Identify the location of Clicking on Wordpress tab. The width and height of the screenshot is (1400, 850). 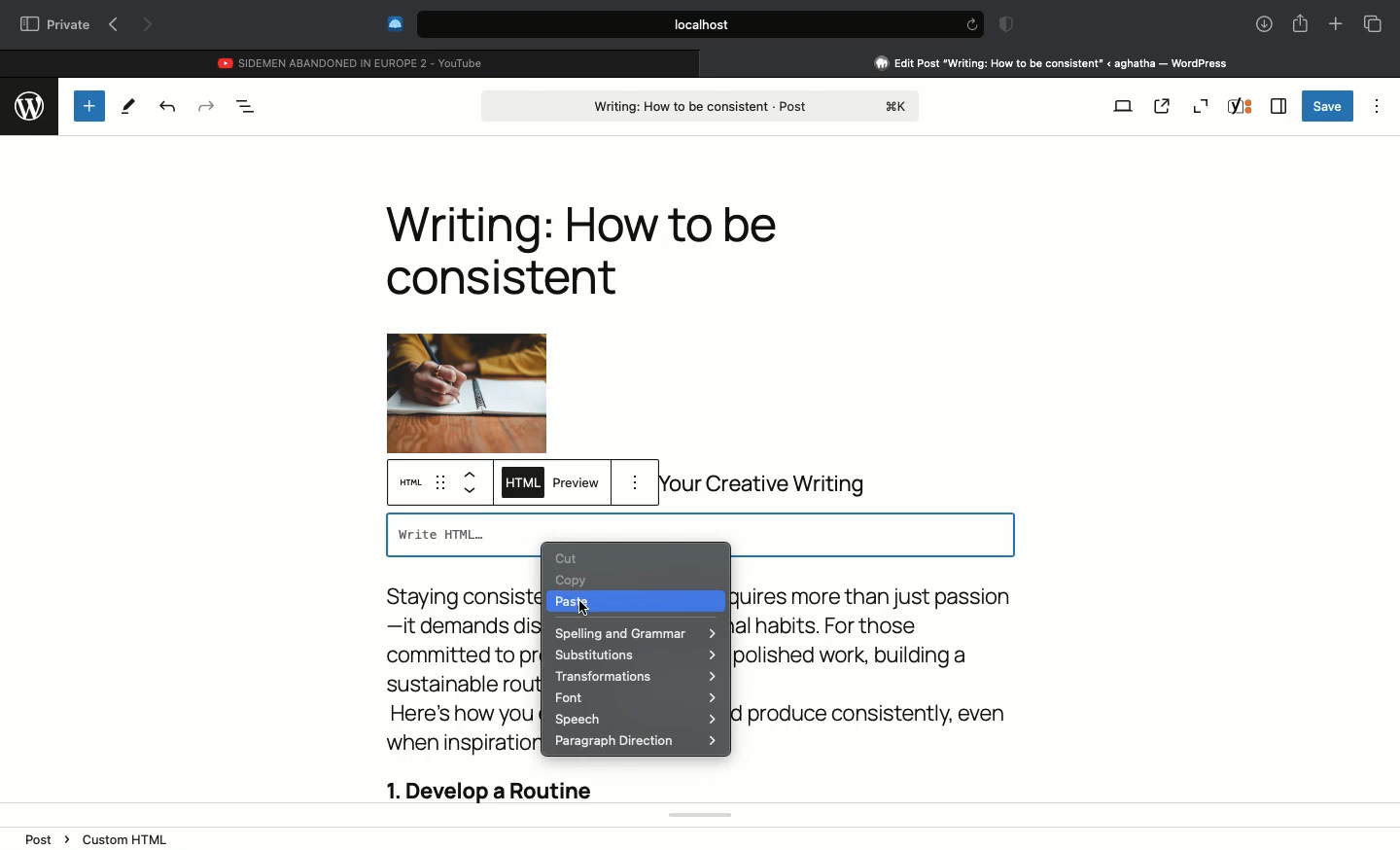
(1052, 62).